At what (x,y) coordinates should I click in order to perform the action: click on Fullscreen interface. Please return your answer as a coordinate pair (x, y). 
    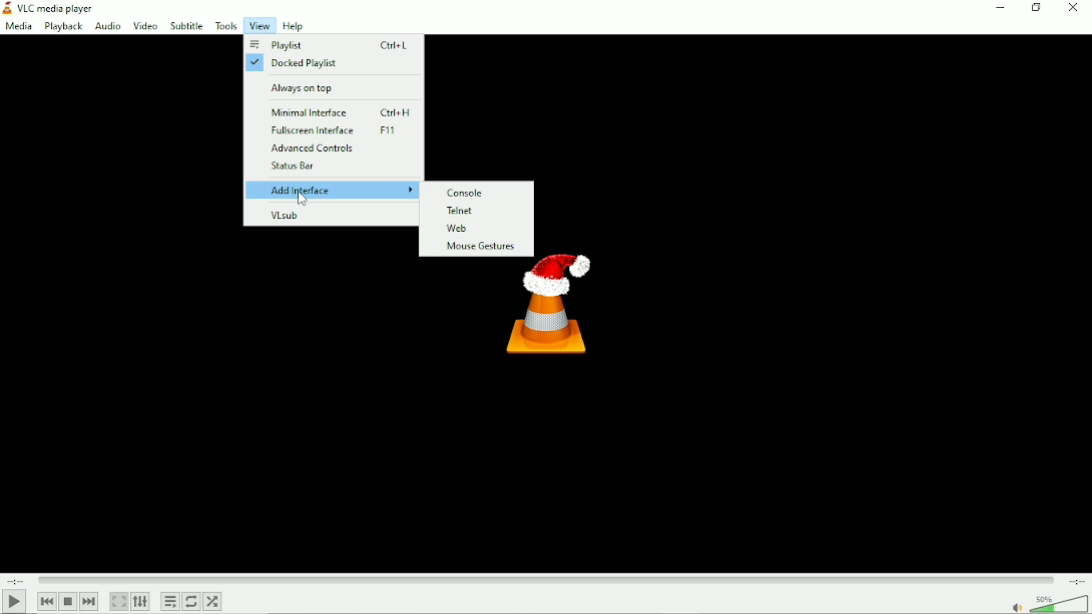
    Looking at the image, I should click on (334, 130).